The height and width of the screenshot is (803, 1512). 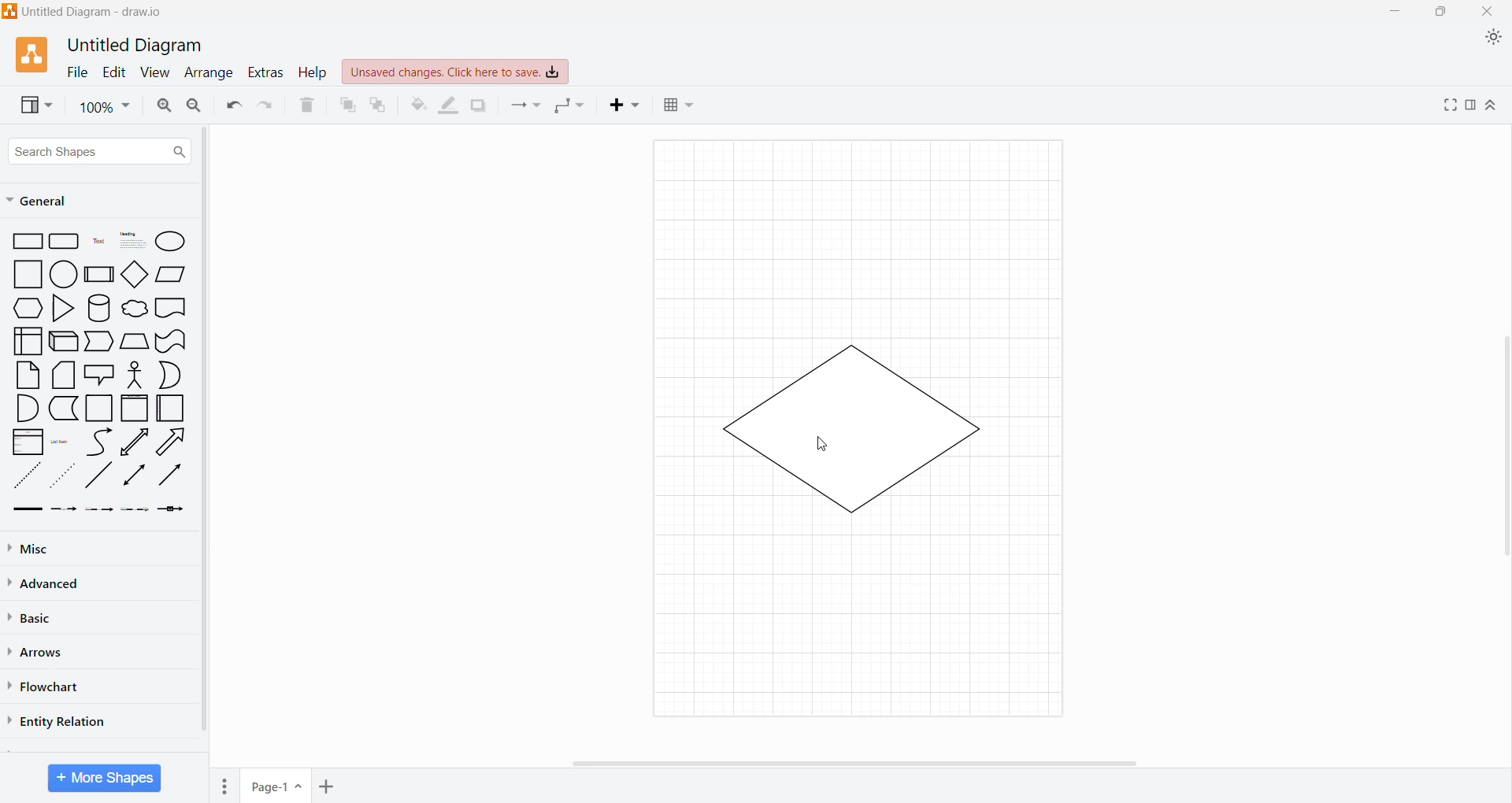 What do you see at coordinates (134, 342) in the screenshot?
I see `Trapezoid` at bounding box center [134, 342].